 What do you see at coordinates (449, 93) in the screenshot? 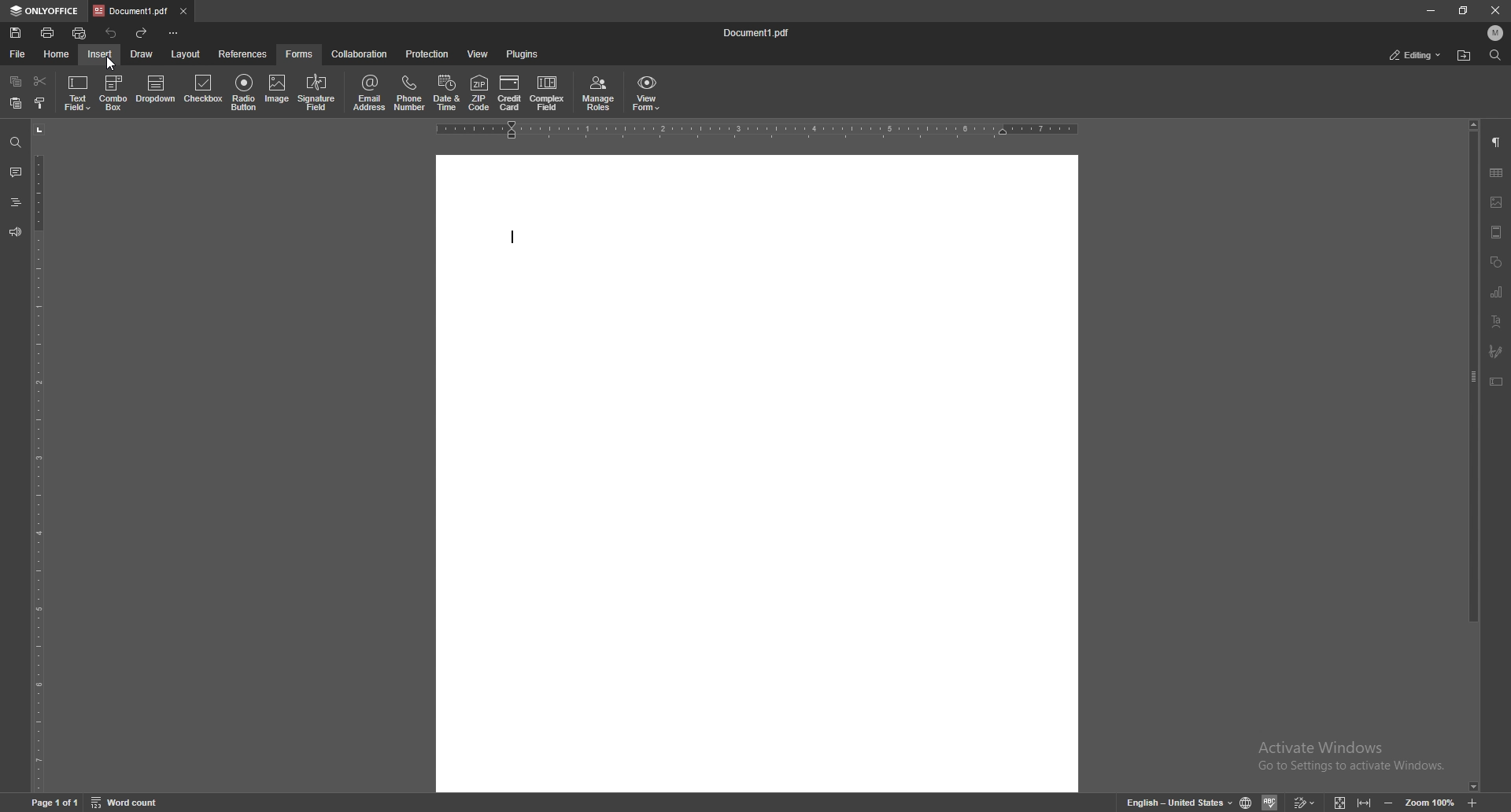
I see `date and time` at bounding box center [449, 93].